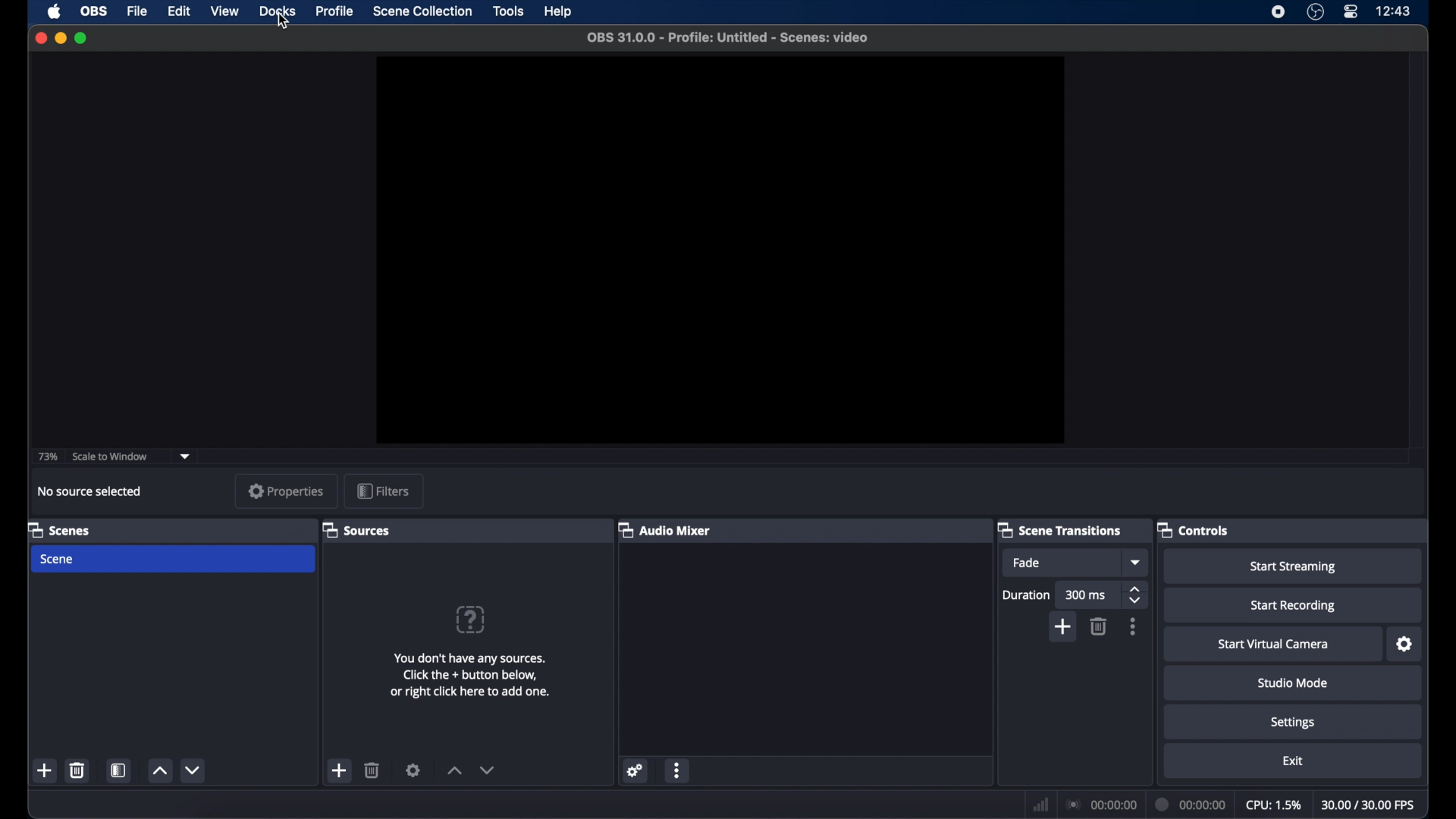 The width and height of the screenshot is (1456, 819). I want to click on cpu, so click(1273, 803).